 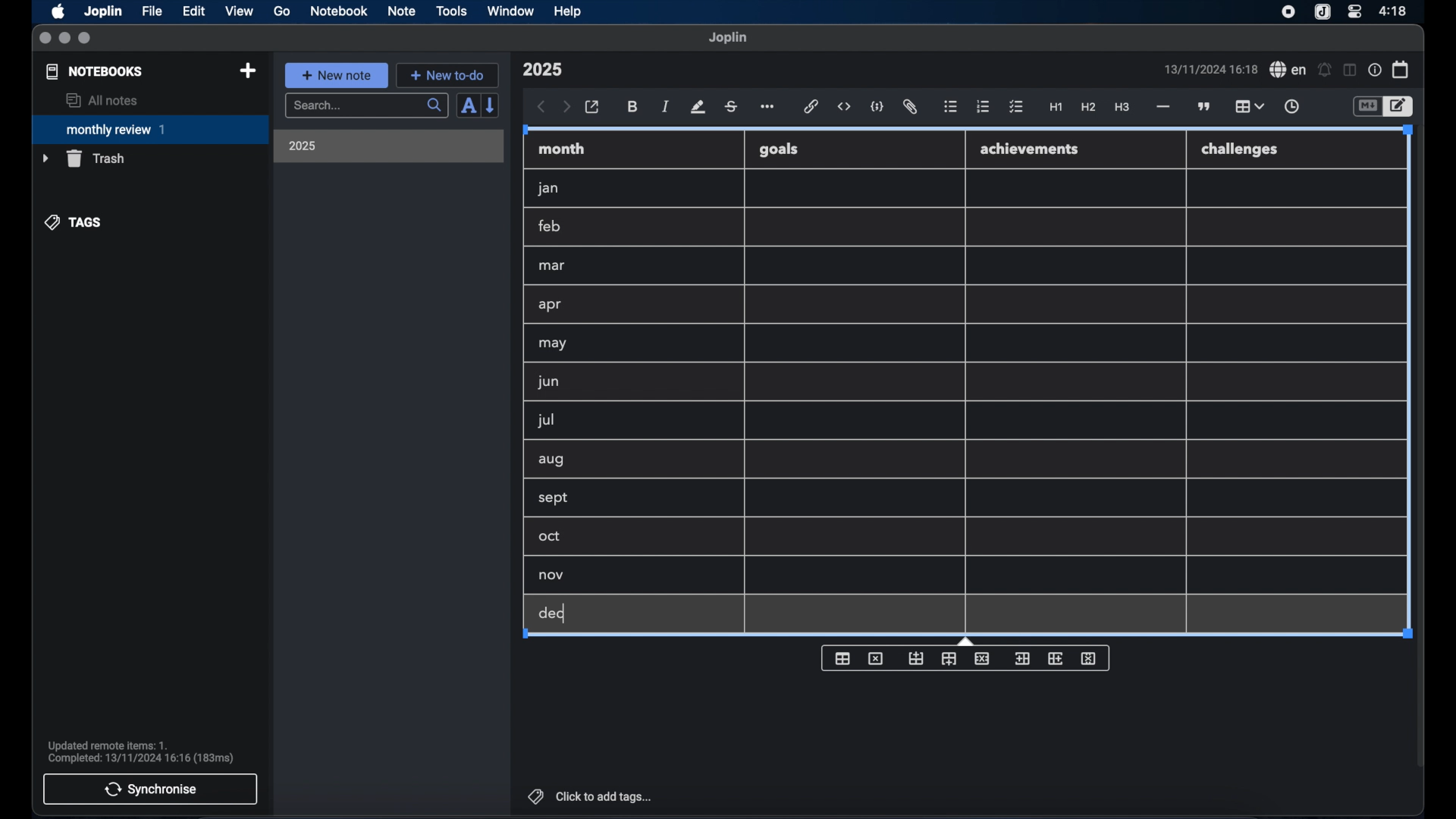 I want to click on challenges, so click(x=1246, y=150).